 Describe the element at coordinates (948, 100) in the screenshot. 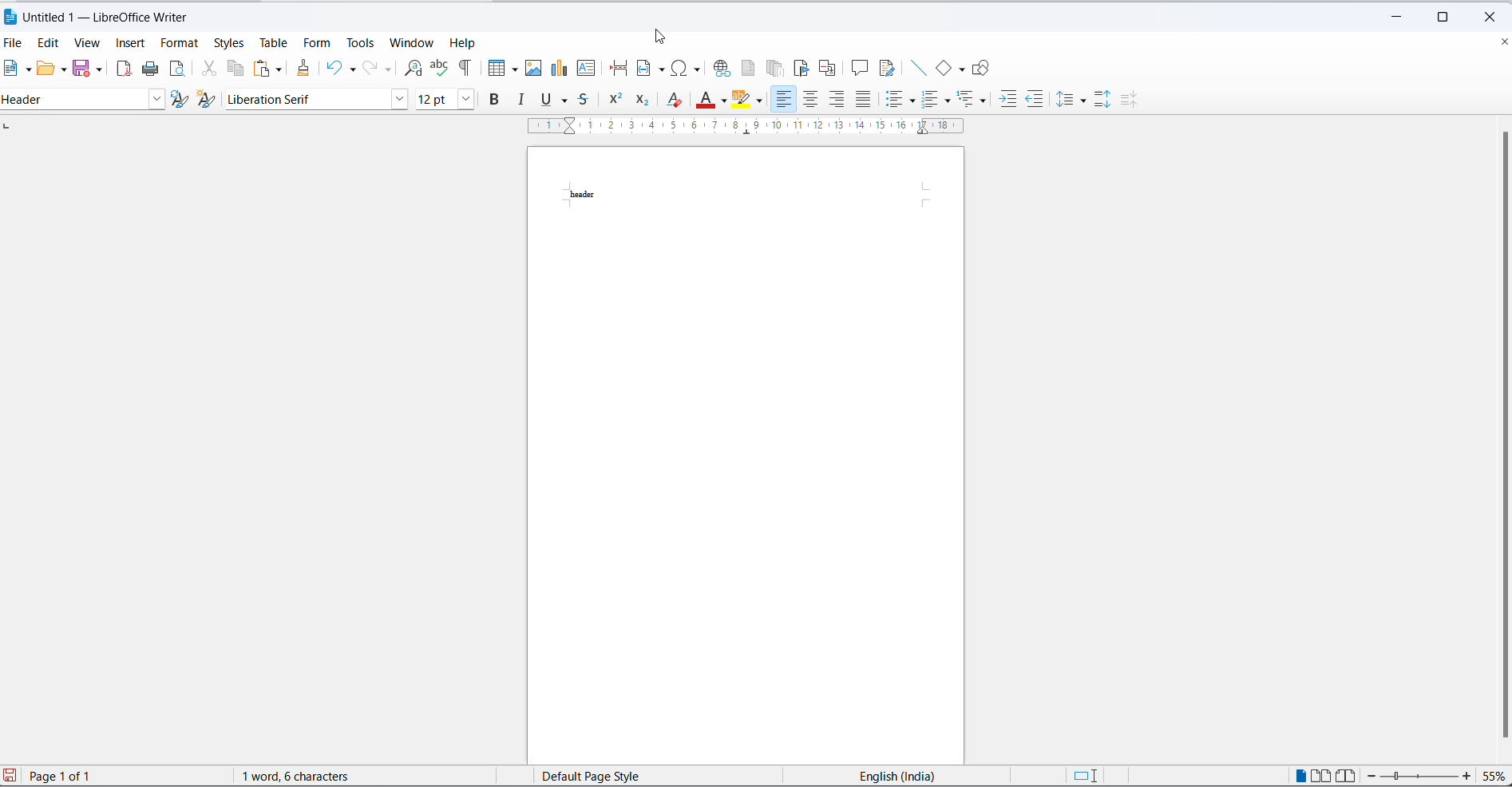

I see `toggle ordered list options` at that location.